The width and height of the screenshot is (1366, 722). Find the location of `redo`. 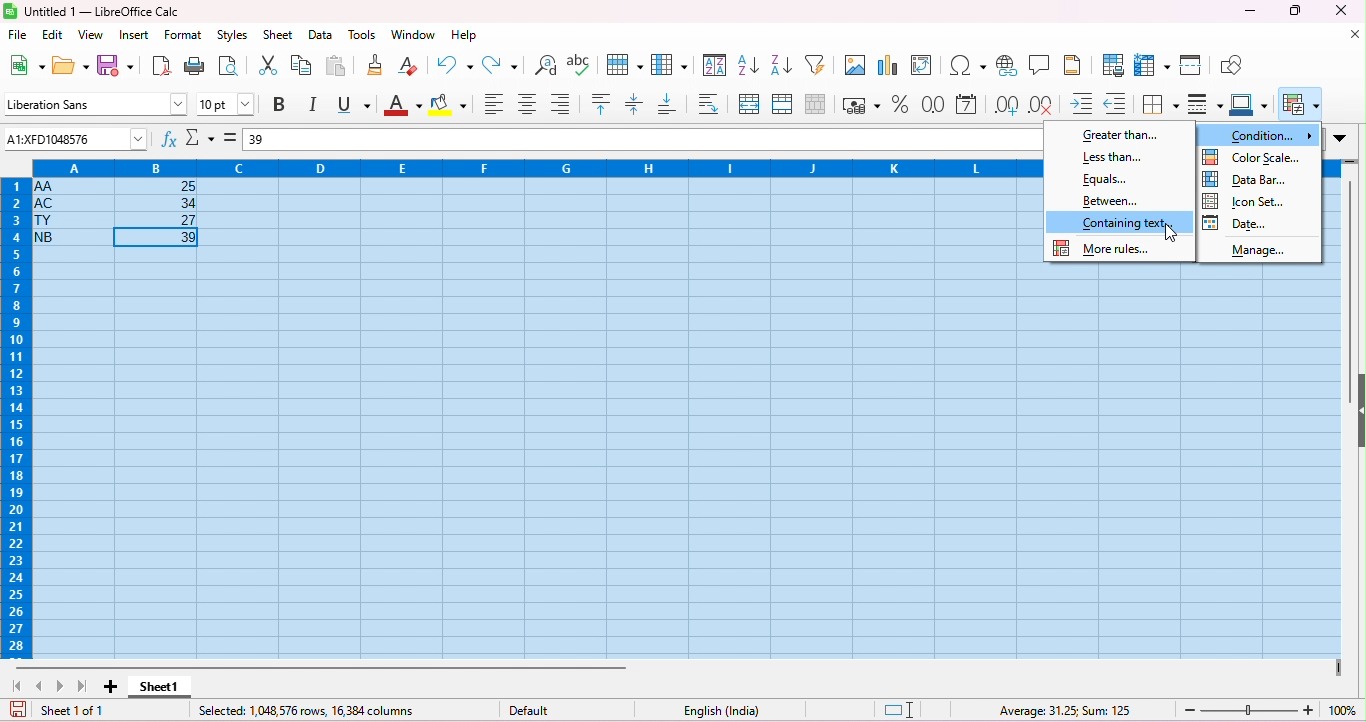

redo is located at coordinates (503, 64).